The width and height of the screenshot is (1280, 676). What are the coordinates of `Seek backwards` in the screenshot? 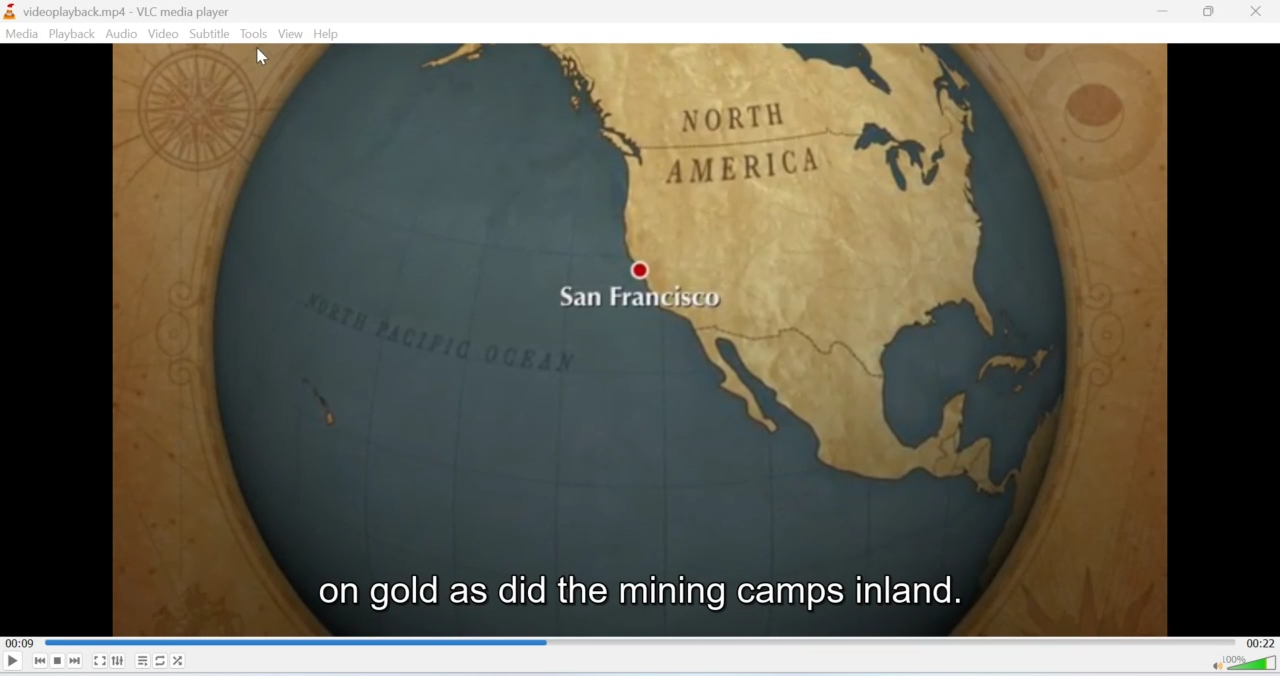 It's located at (41, 662).